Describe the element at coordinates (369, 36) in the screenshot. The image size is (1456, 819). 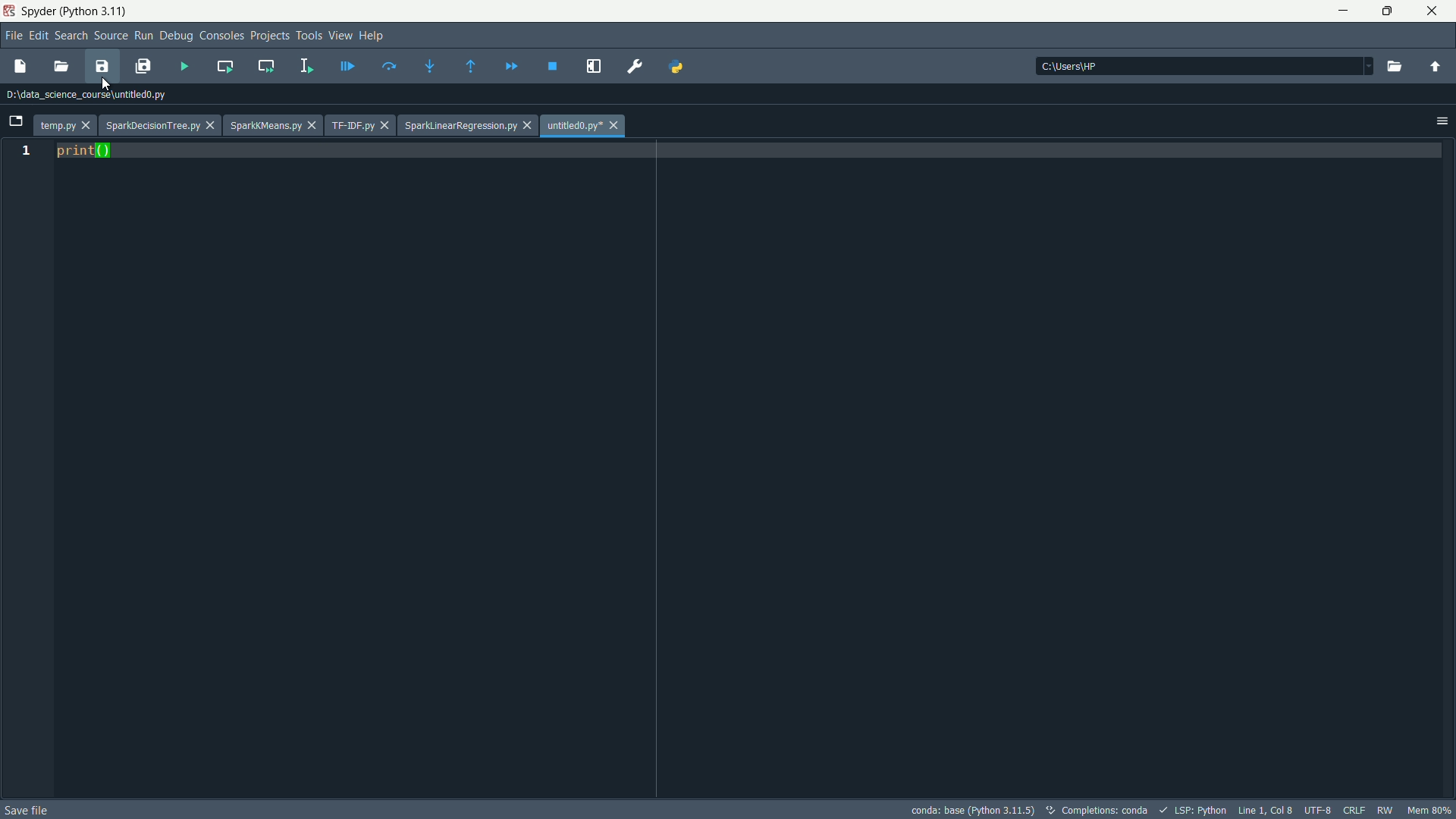
I see `help menu` at that location.